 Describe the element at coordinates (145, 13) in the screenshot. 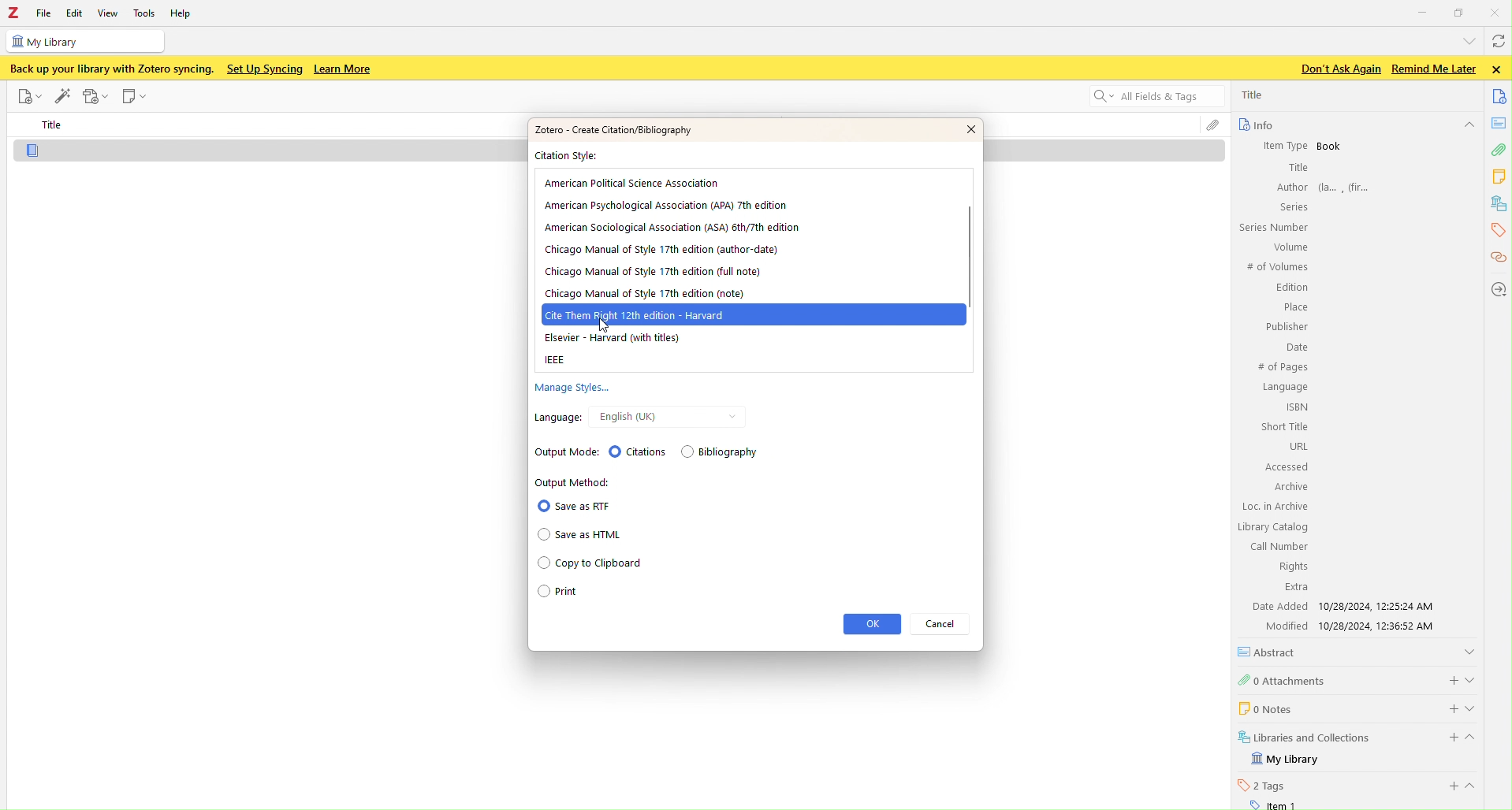

I see `Tools` at that location.